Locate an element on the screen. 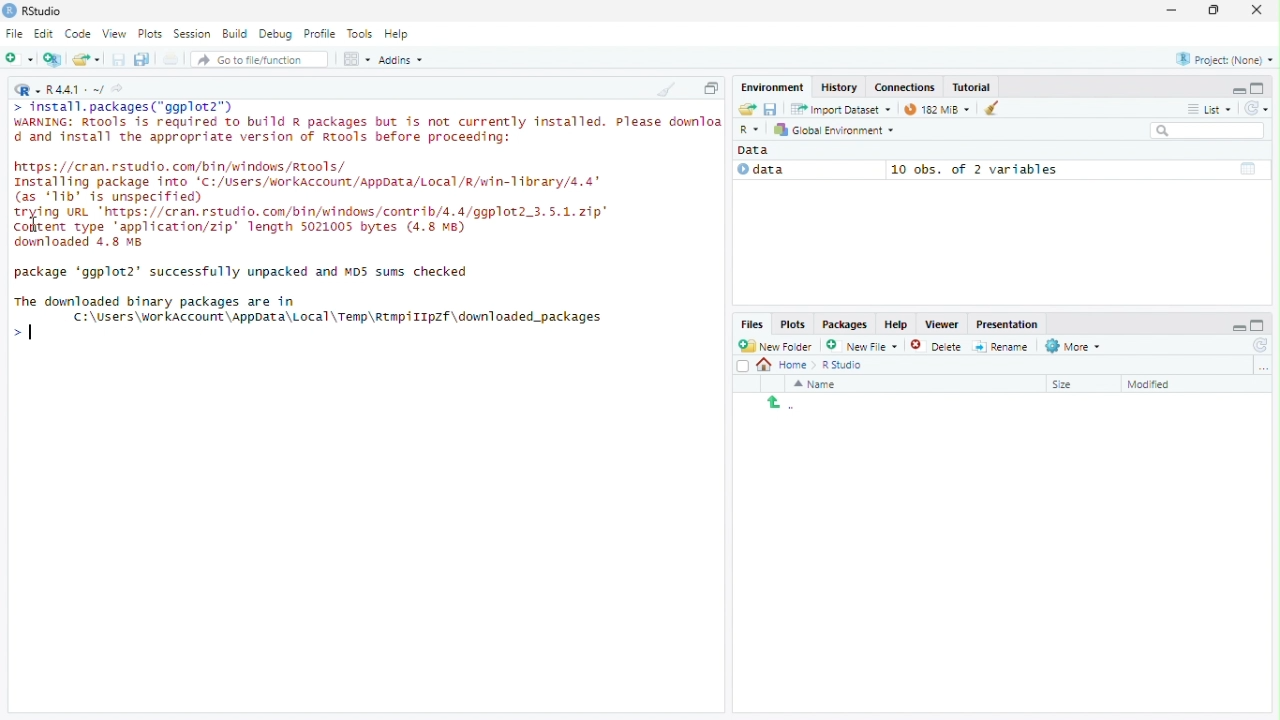 The width and height of the screenshot is (1280, 720). Sort by size is located at coordinates (1077, 383).